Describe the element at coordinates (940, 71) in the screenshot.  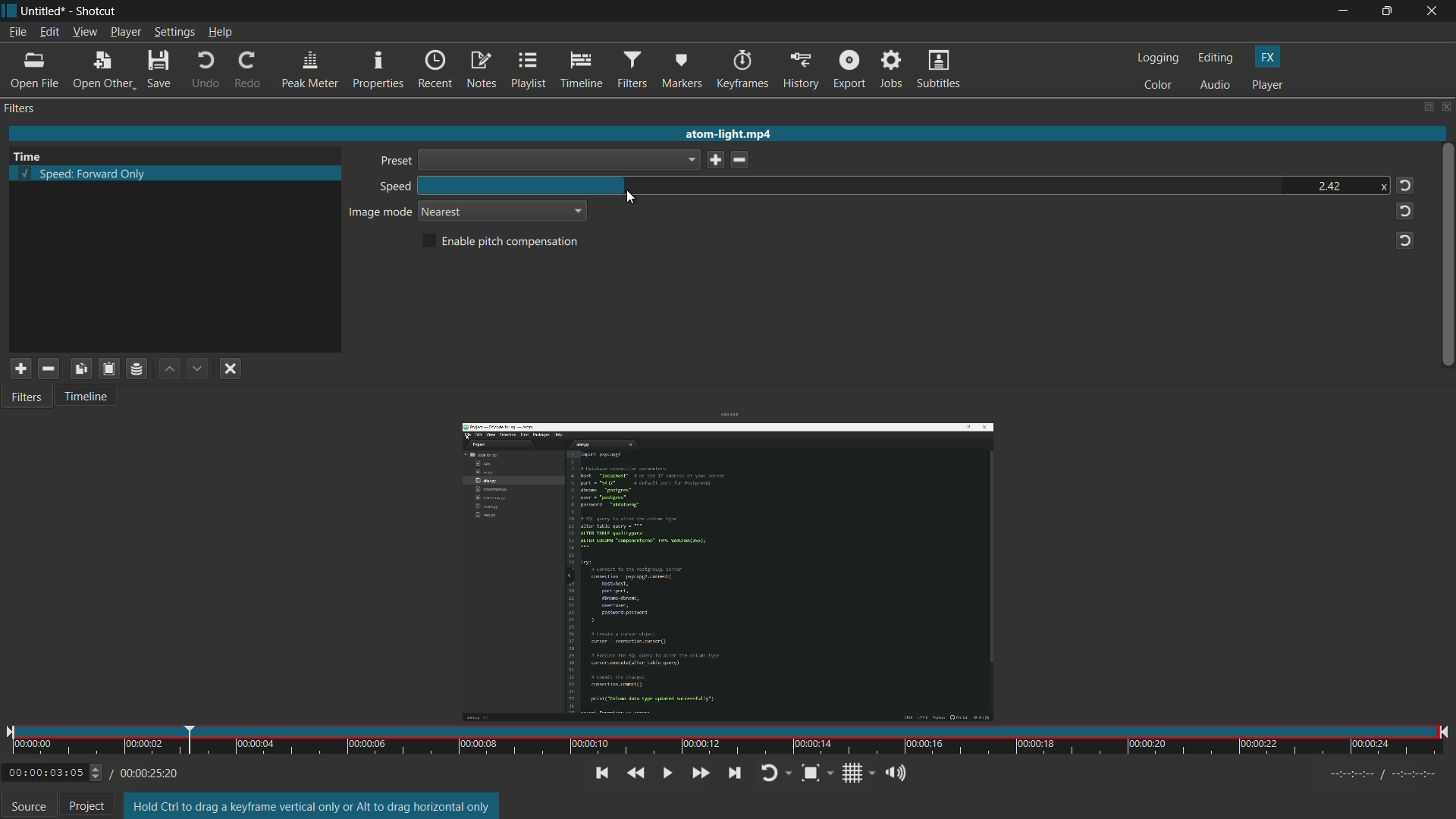
I see `subtitles` at that location.